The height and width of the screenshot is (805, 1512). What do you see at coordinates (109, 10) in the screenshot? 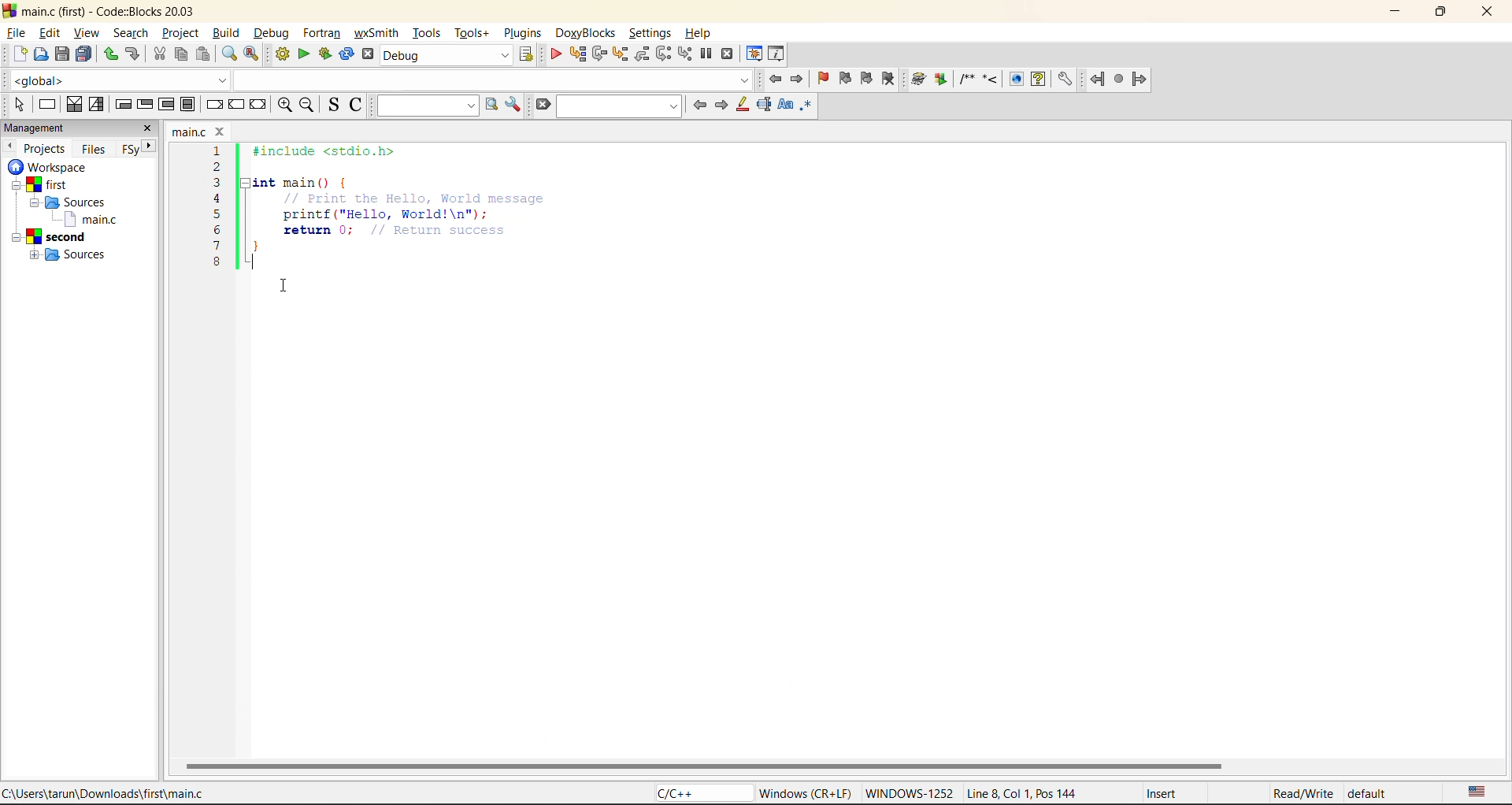
I see `app name and file name` at bounding box center [109, 10].